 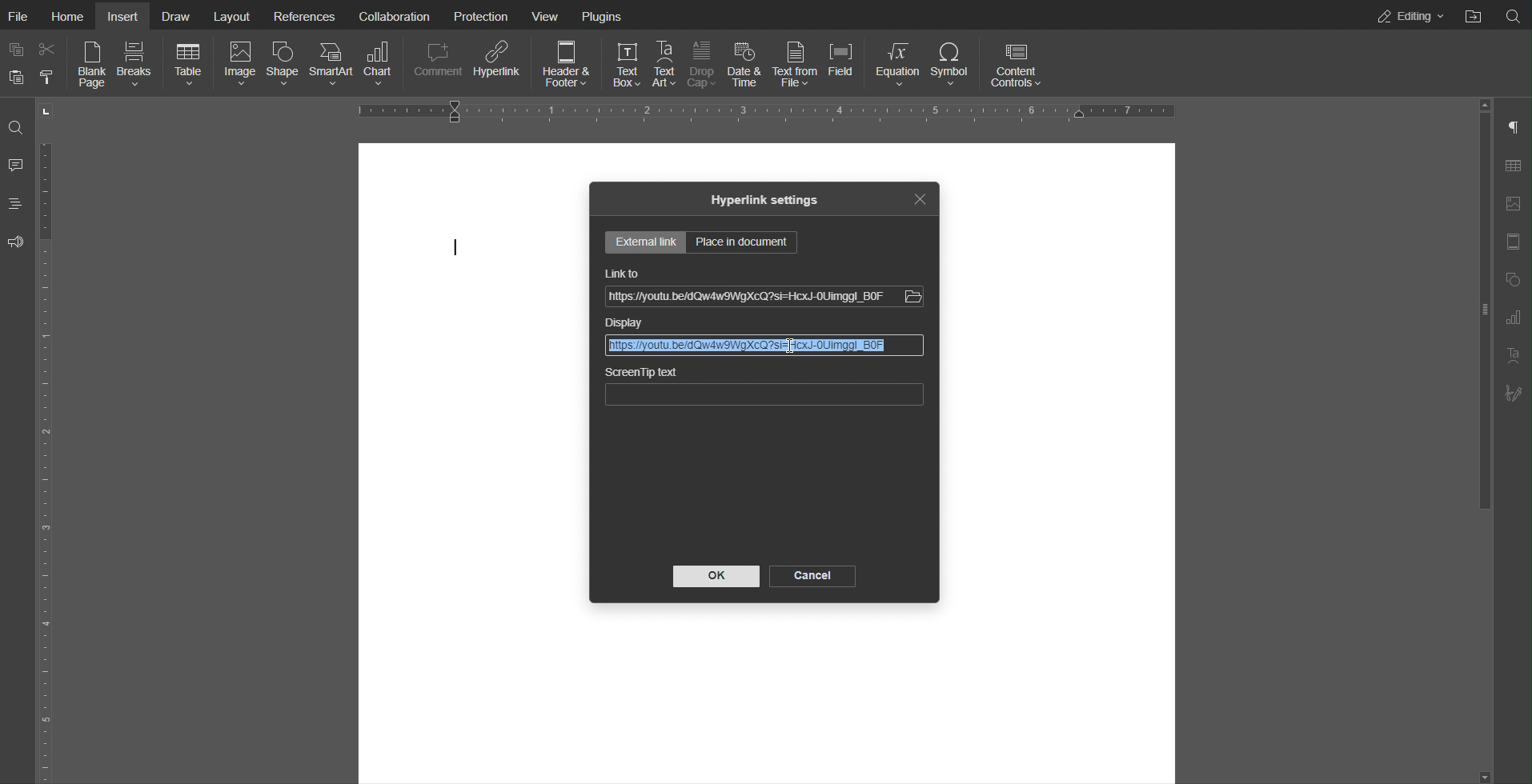 What do you see at coordinates (435, 64) in the screenshot?
I see `Comment` at bounding box center [435, 64].